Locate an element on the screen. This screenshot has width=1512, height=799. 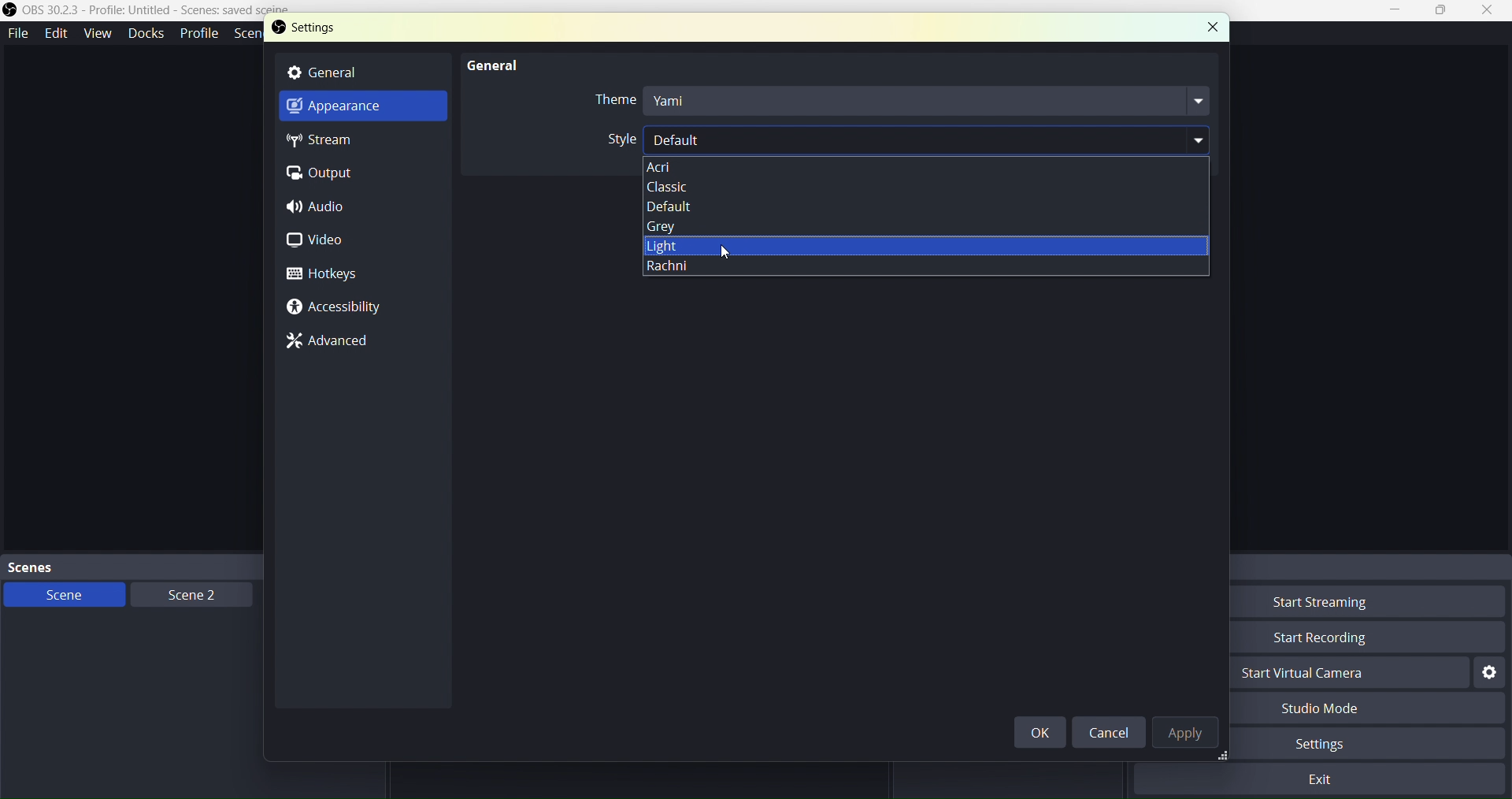
Close is located at coordinates (1210, 26).